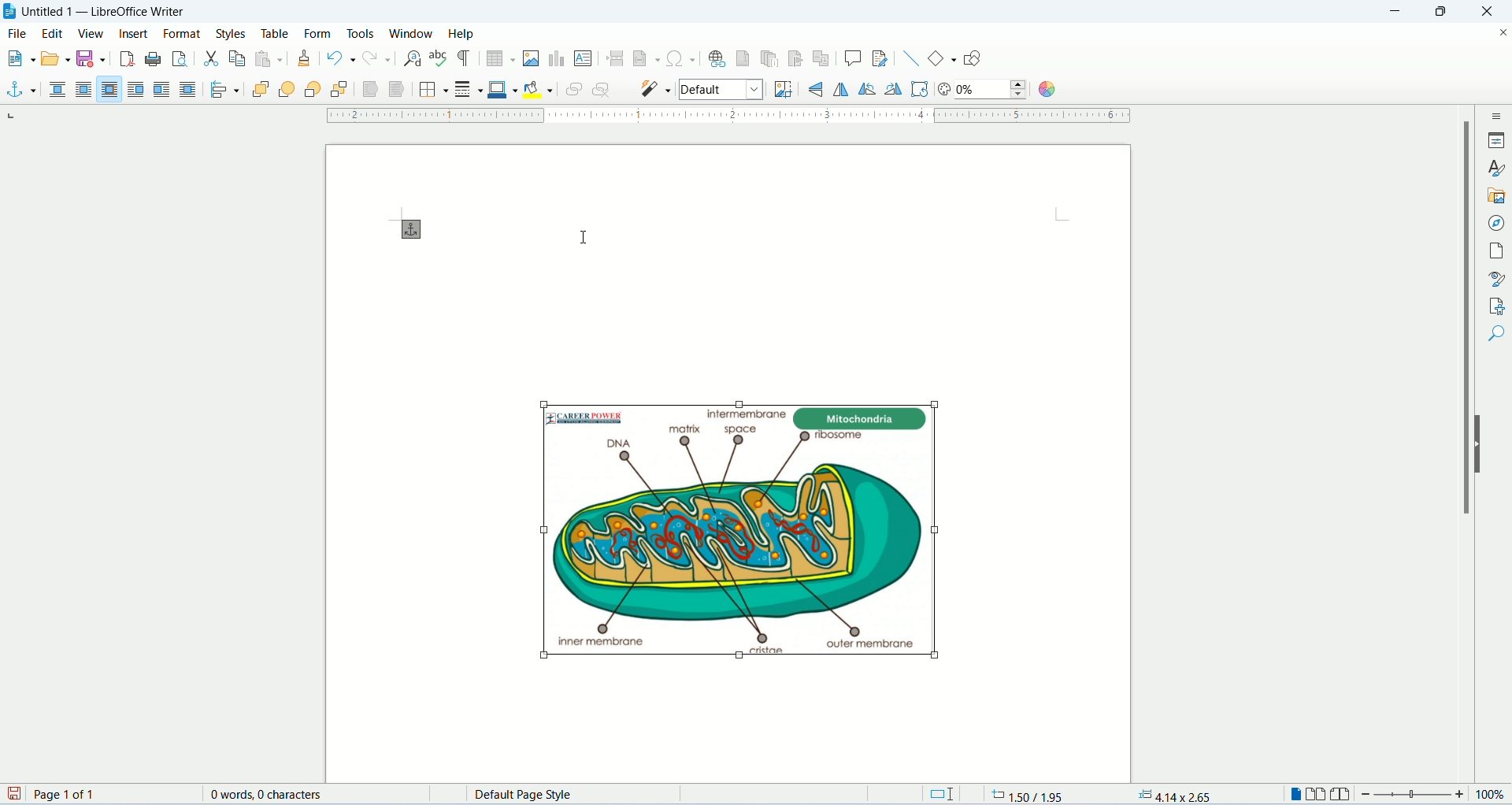 The height and width of the screenshot is (805, 1512). What do you see at coordinates (16, 795) in the screenshot?
I see `save` at bounding box center [16, 795].